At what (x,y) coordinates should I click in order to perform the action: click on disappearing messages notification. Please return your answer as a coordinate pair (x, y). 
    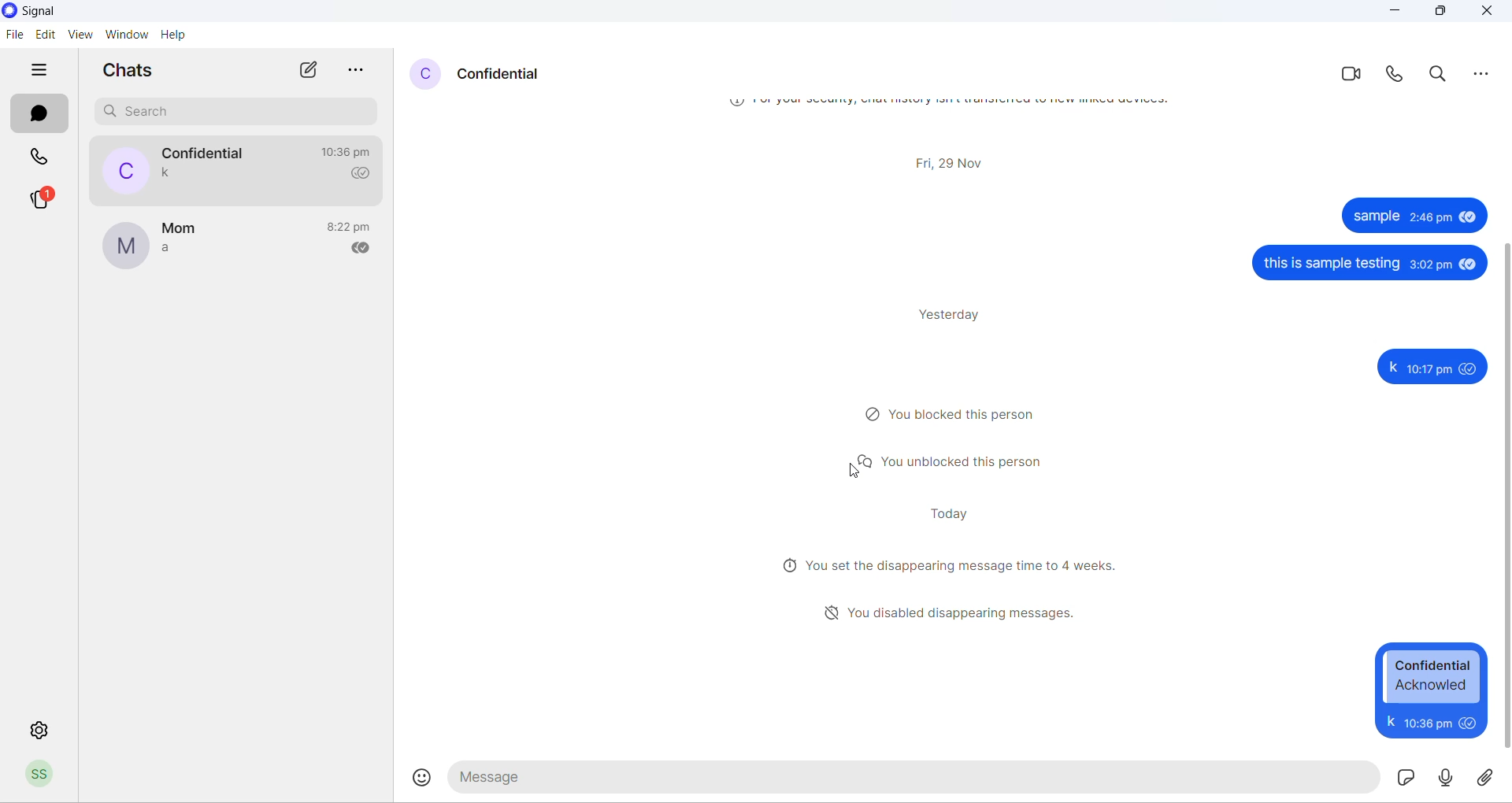
    Looking at the image, I should click on (946, 568).